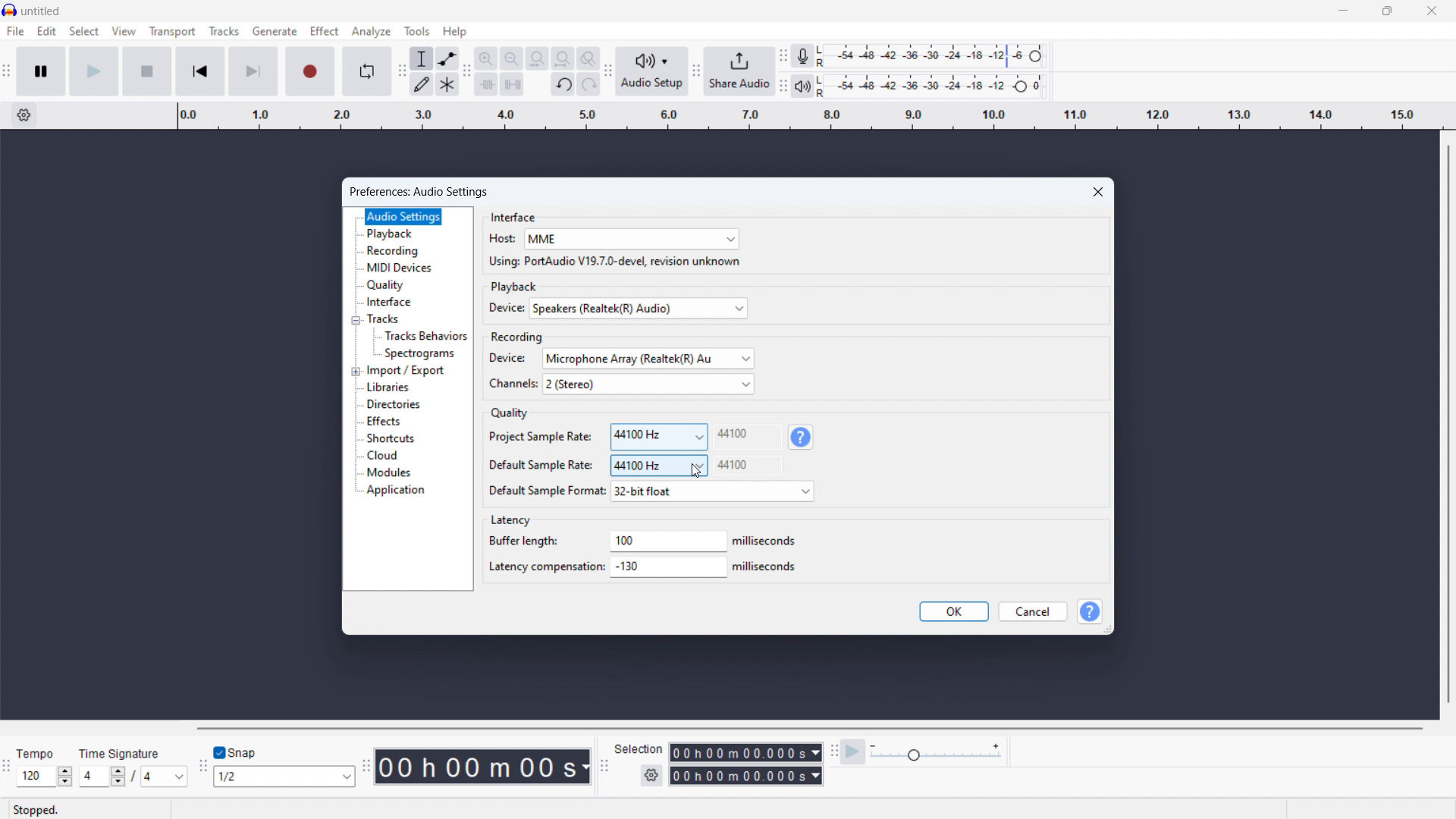 Image resolution: width=1456 pixels, height=819 pixels. What do you see at coordinates (397, 491) in the screenshot?
I see `application` at bounding box center [397, 491].